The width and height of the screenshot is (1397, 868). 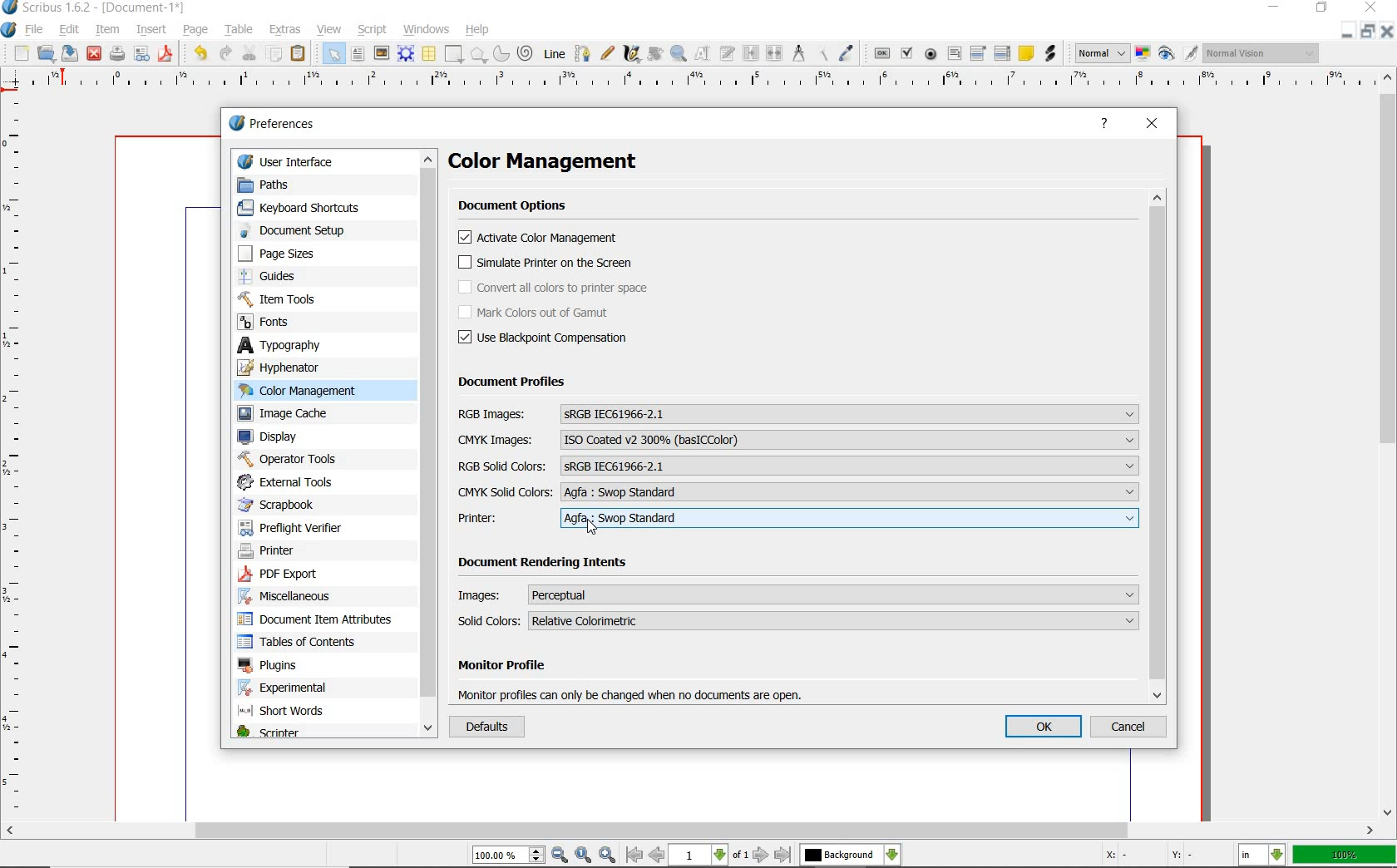 What do you see at coordinates (1276, 8) in the screenshot?
I see `minimize` at bounding box center [1276, 8].